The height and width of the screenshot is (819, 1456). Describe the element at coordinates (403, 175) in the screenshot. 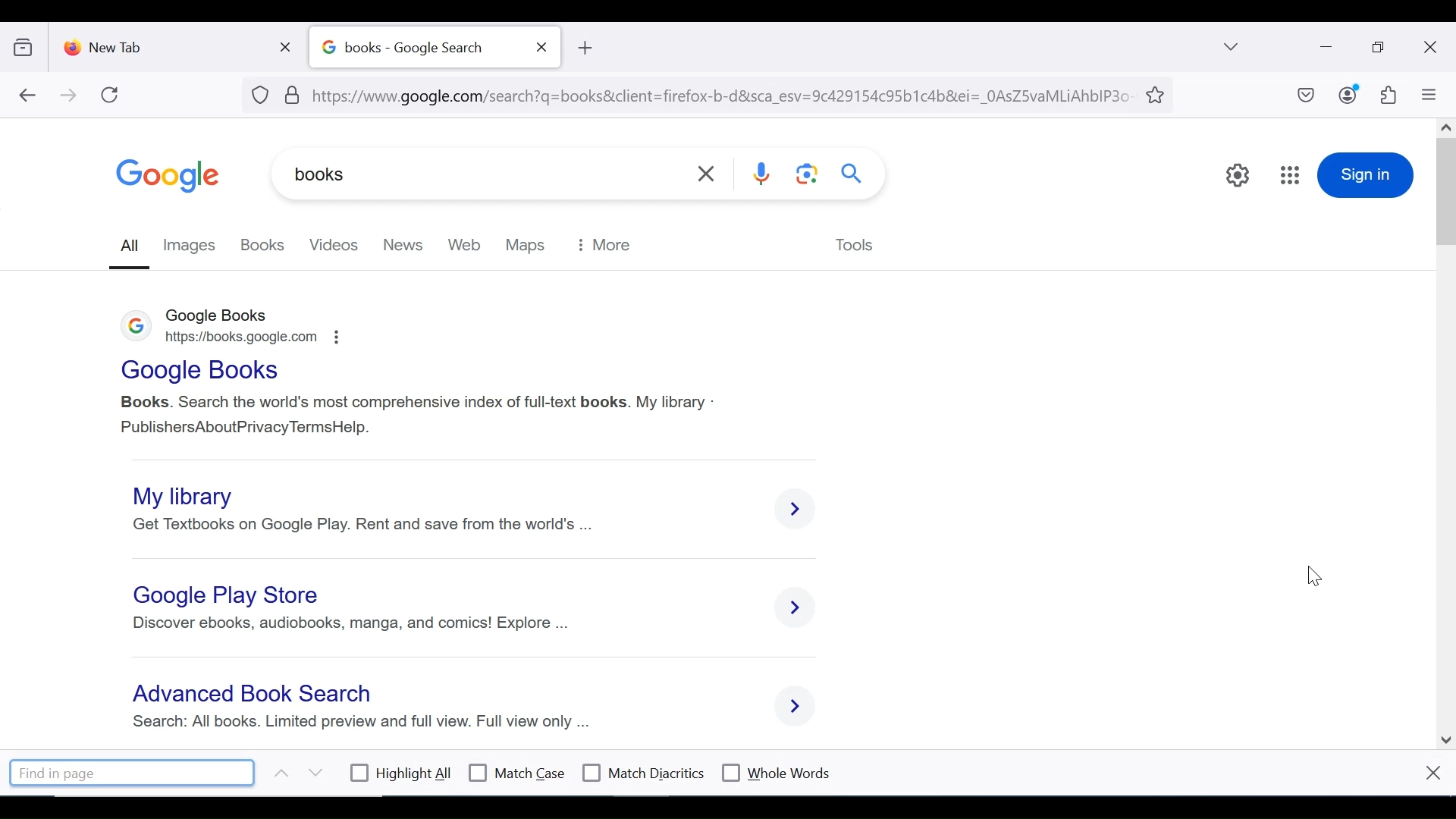

I see `books` at that location.